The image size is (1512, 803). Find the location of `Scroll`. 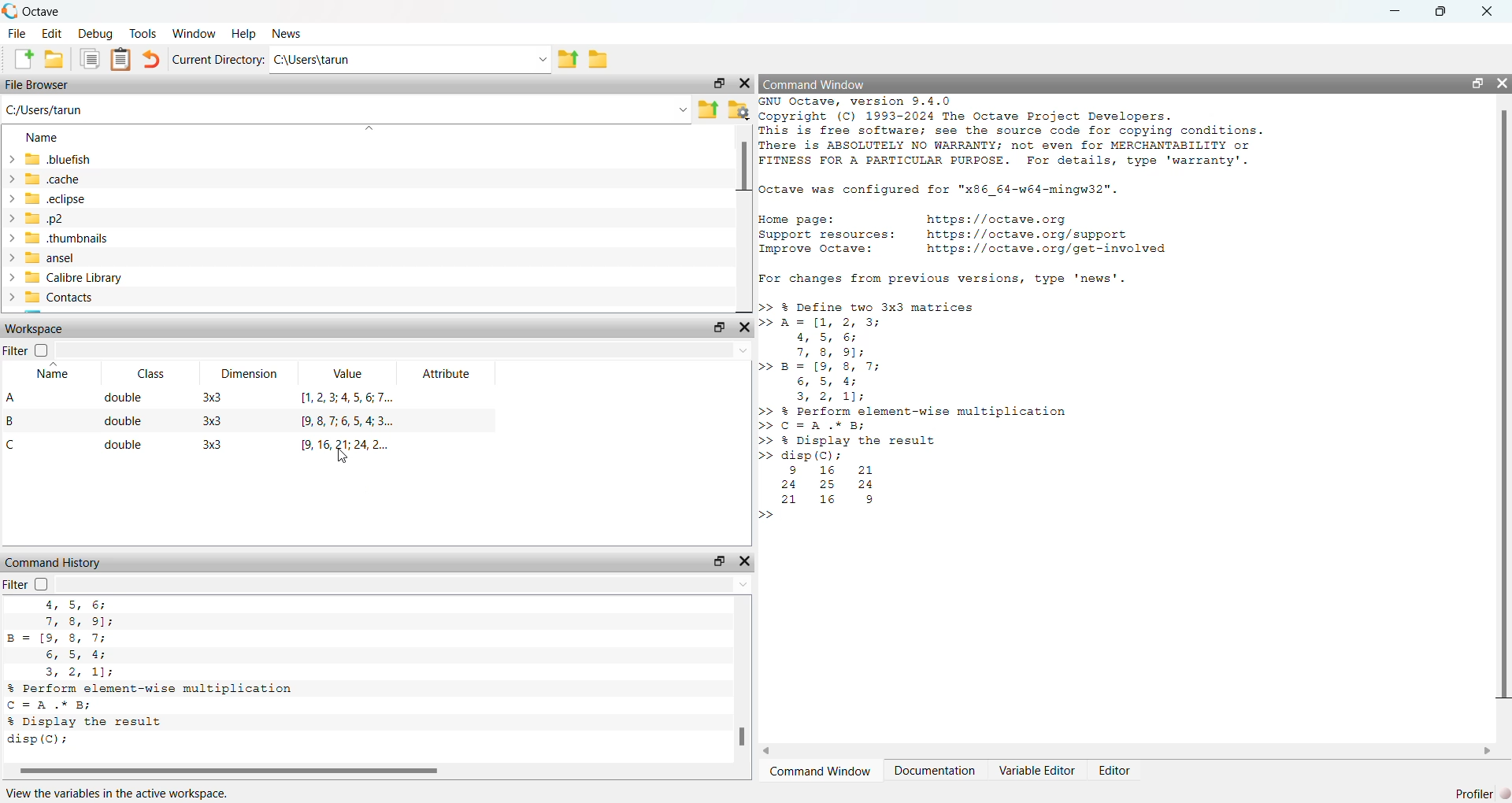

Scroll is located at coordinates (743, 220).